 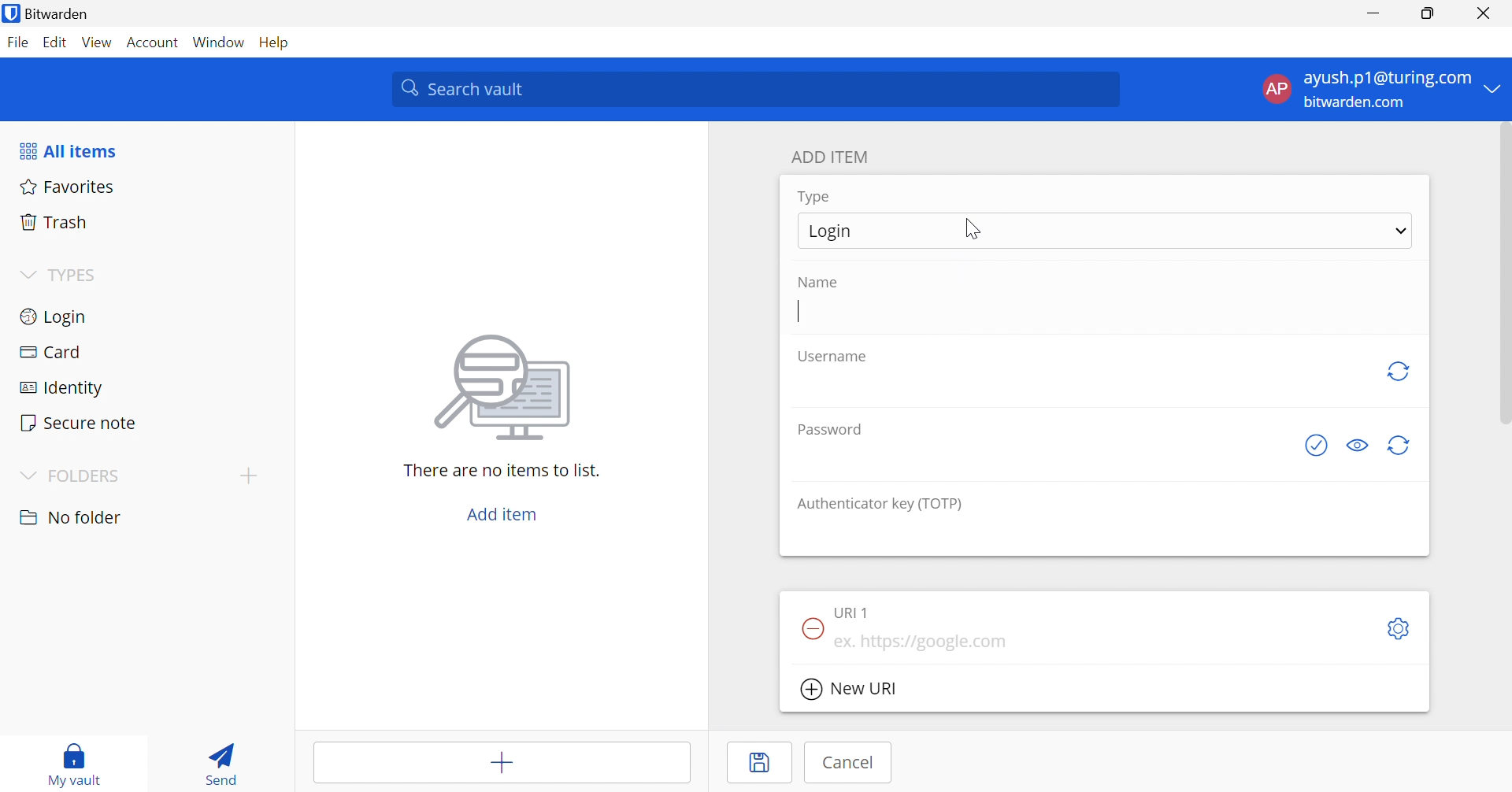 I want to click on Account, so click(x=154, y=41).